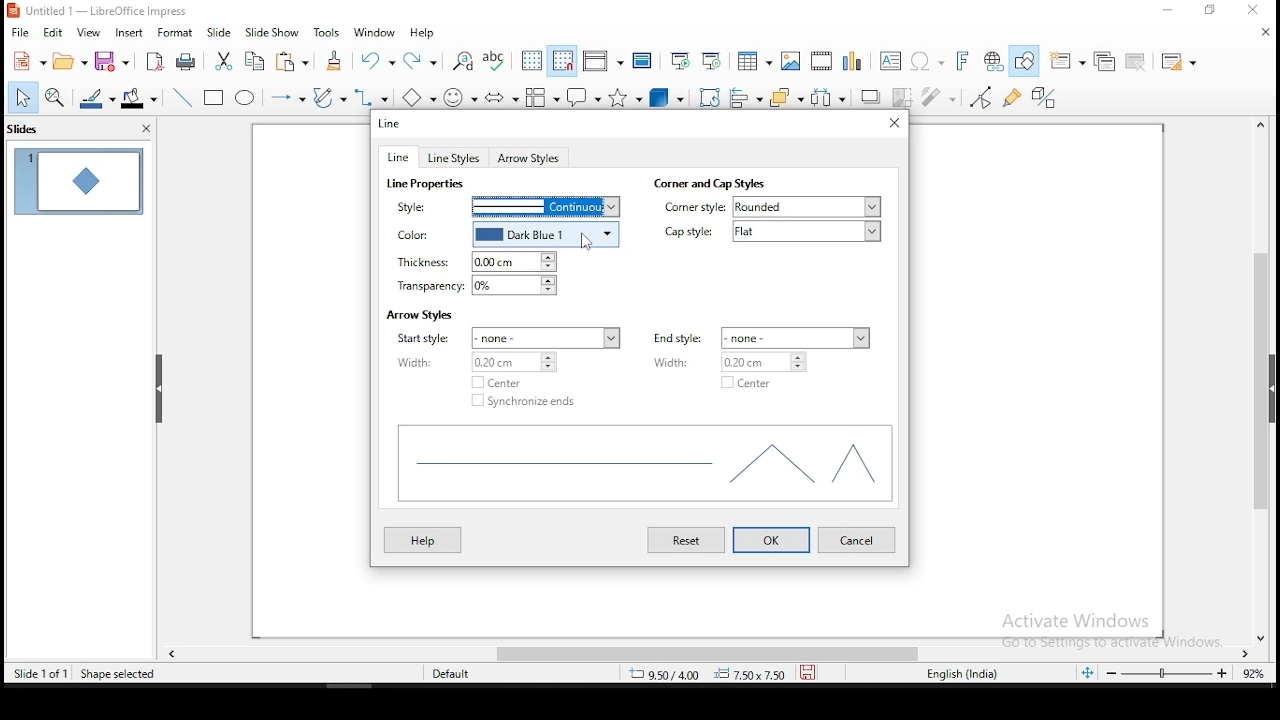  I want to click on crop image, so click(903, 100).